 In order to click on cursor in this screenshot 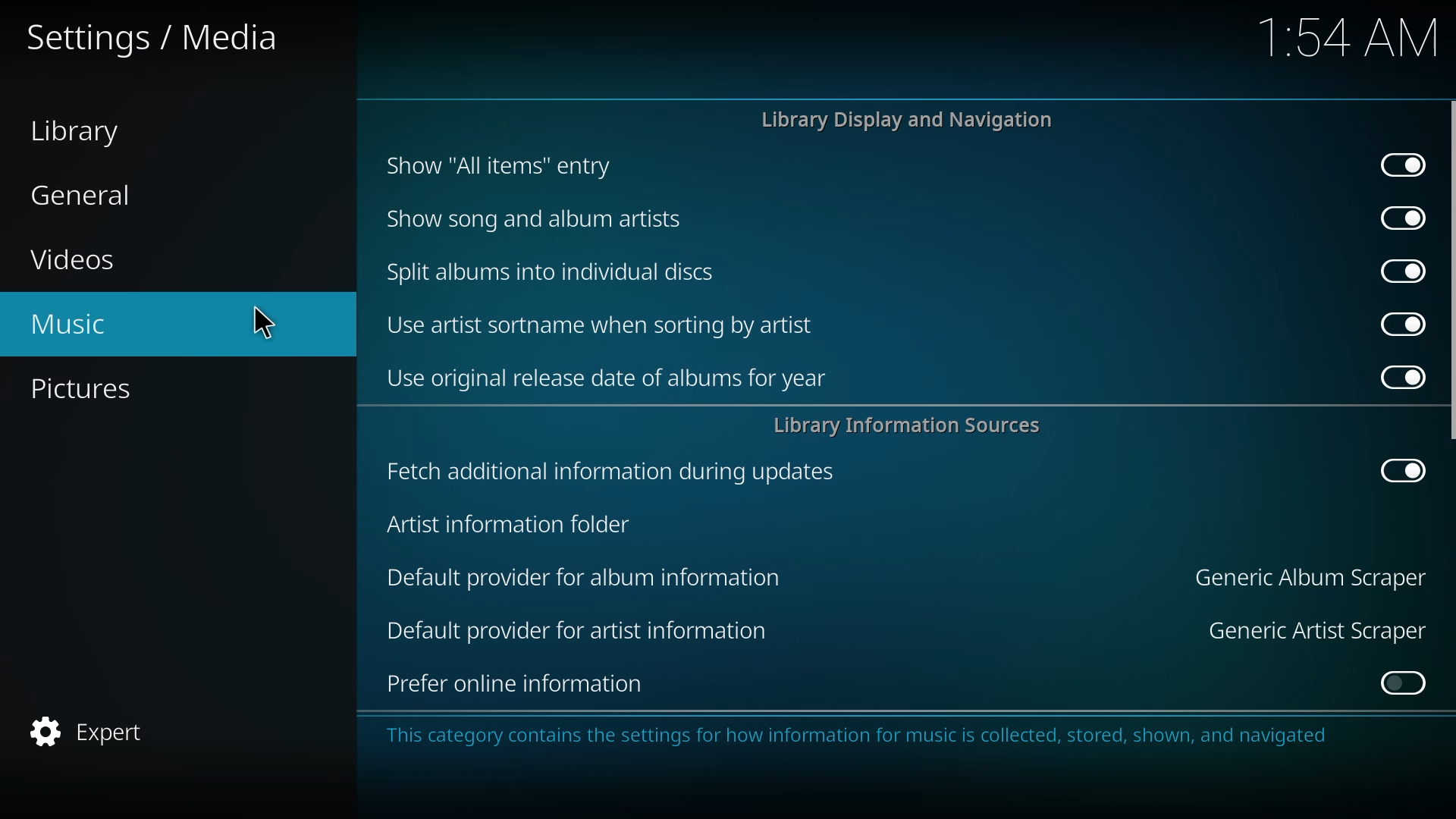, I will do `click(265, 319)`.